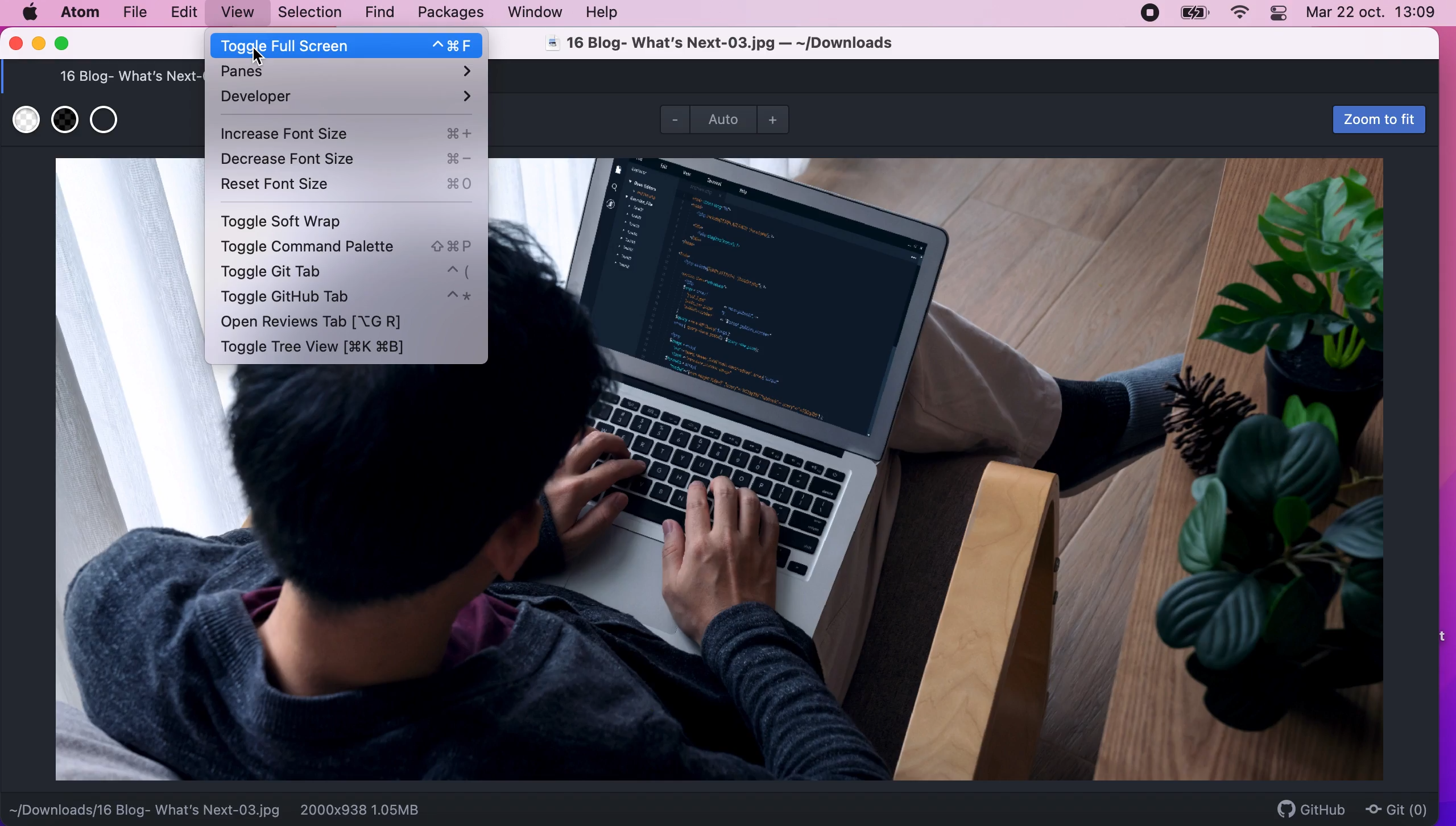 This screenshot has height=826, width=1456. Describe the element at coordinates (672, 122) in the screenshot. I see `zoom out` at that location.